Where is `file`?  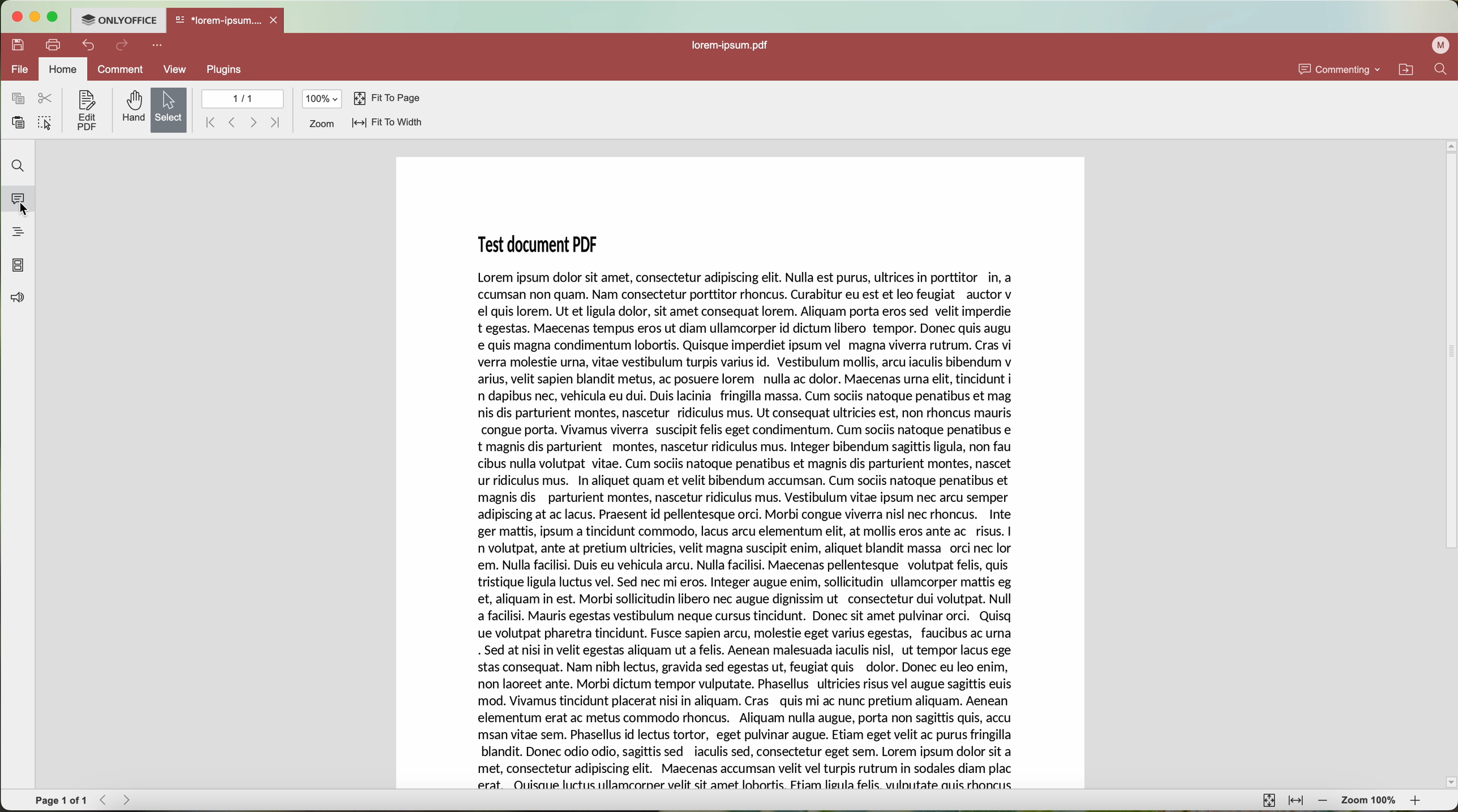
file is located at coordinates (18, 70).